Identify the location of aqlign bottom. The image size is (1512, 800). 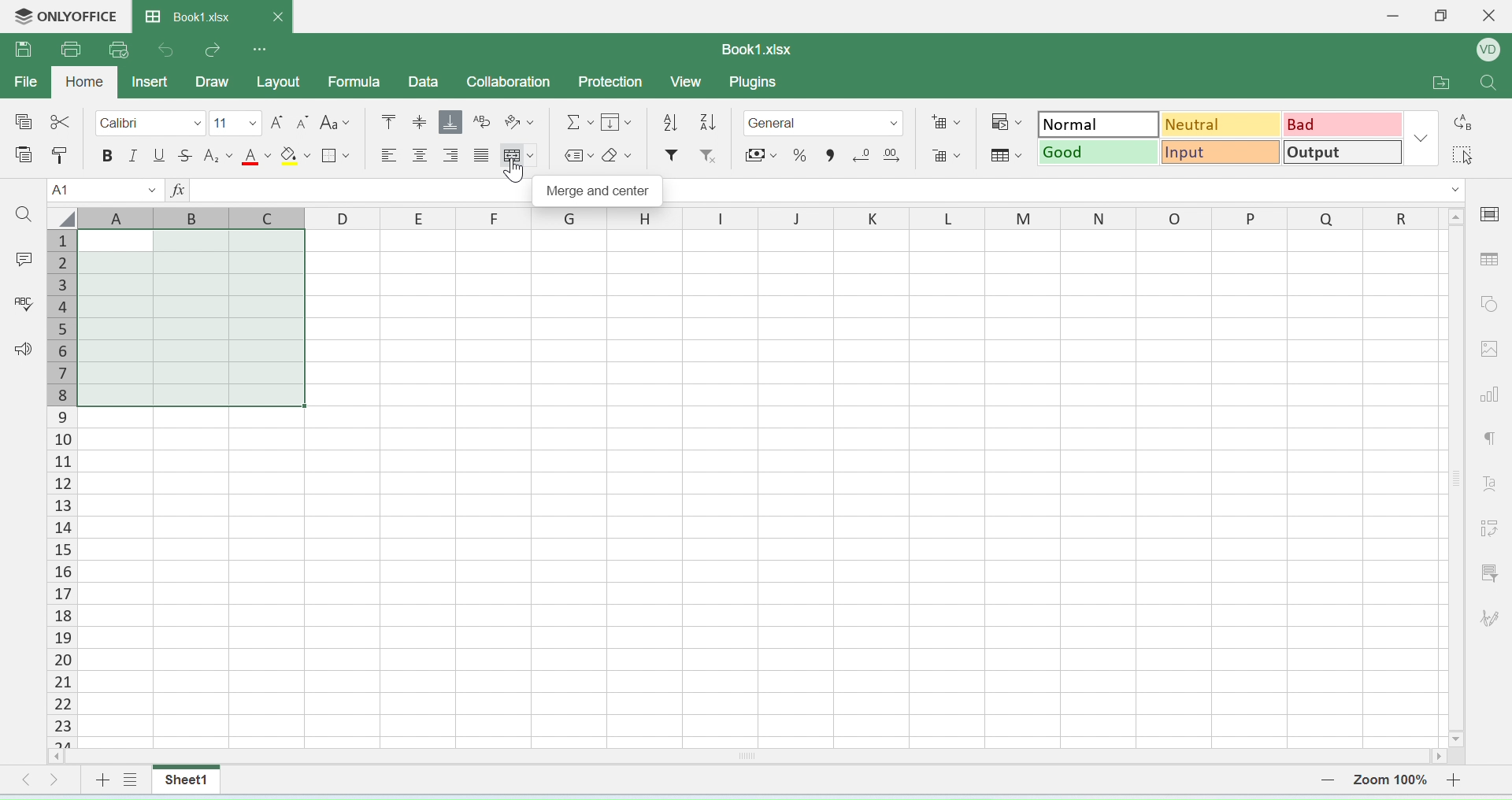
(450, 121).